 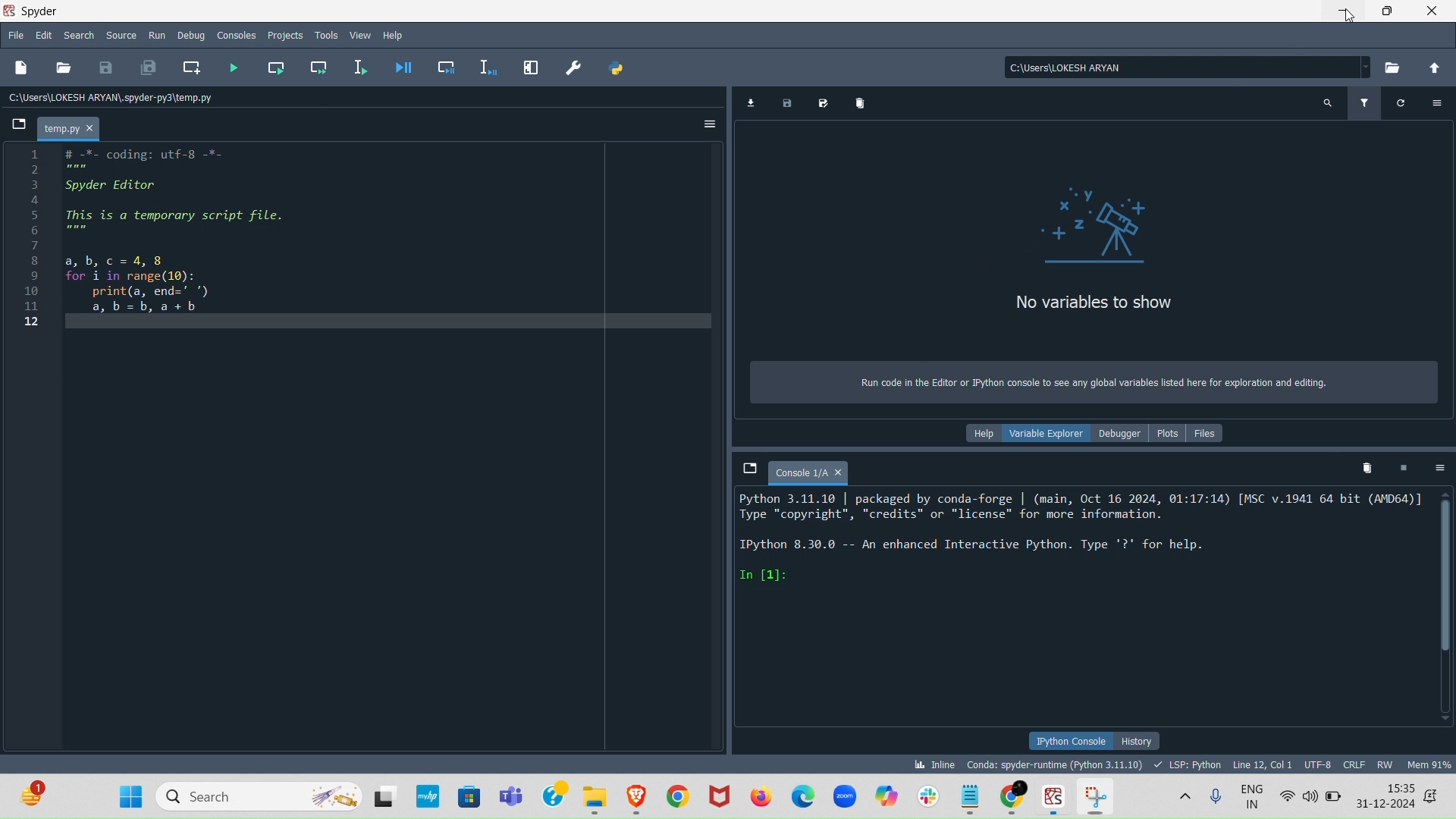 What do you see at coordinates (614, 67) in the screenshot?
I see `PYTHONPATH manager` at bounding box center [614, 67].